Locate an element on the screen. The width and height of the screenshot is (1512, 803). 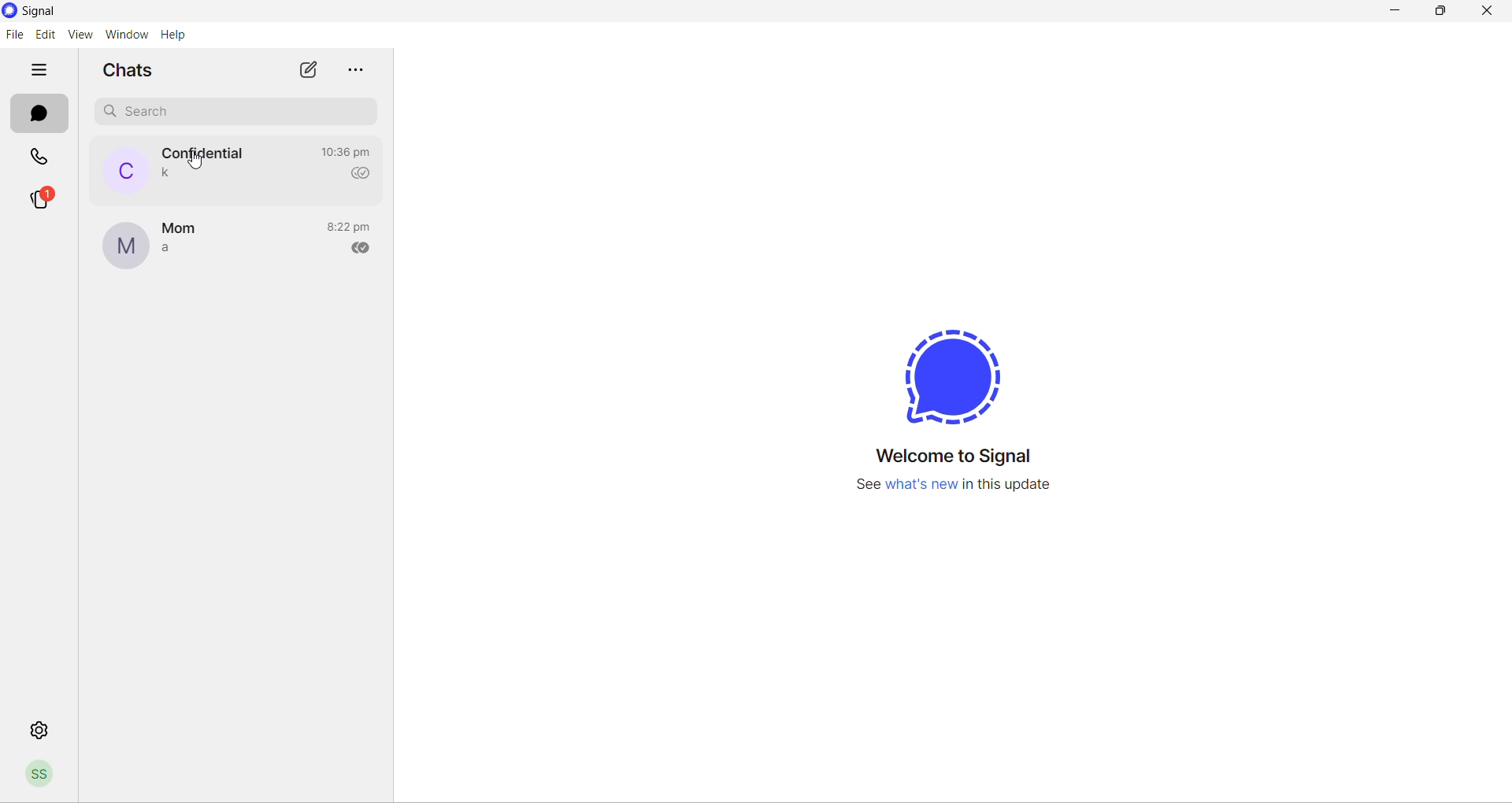
search chats is located at coordinates (243, 112).